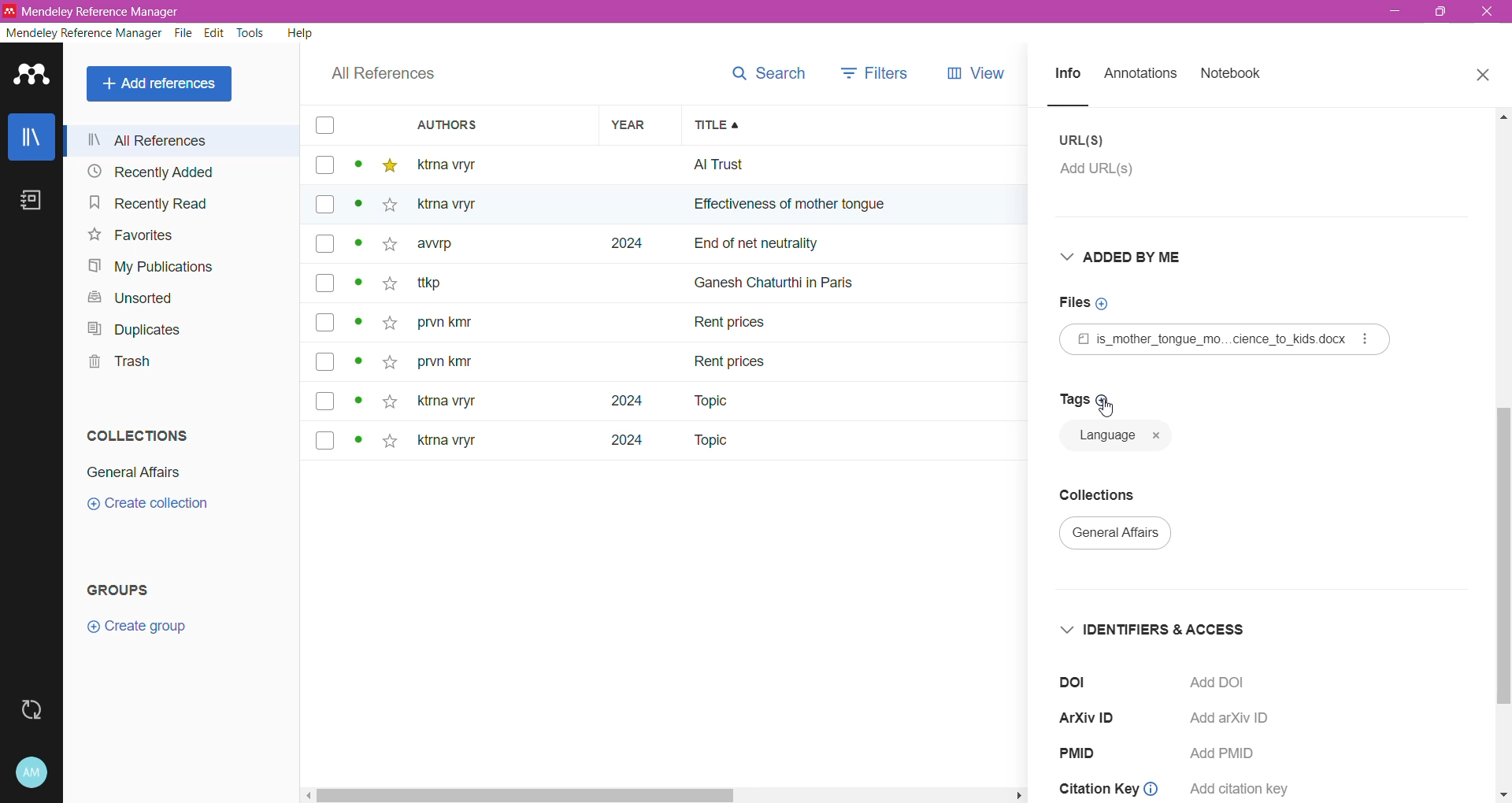  I want to click on Groups, so click(121, 590).